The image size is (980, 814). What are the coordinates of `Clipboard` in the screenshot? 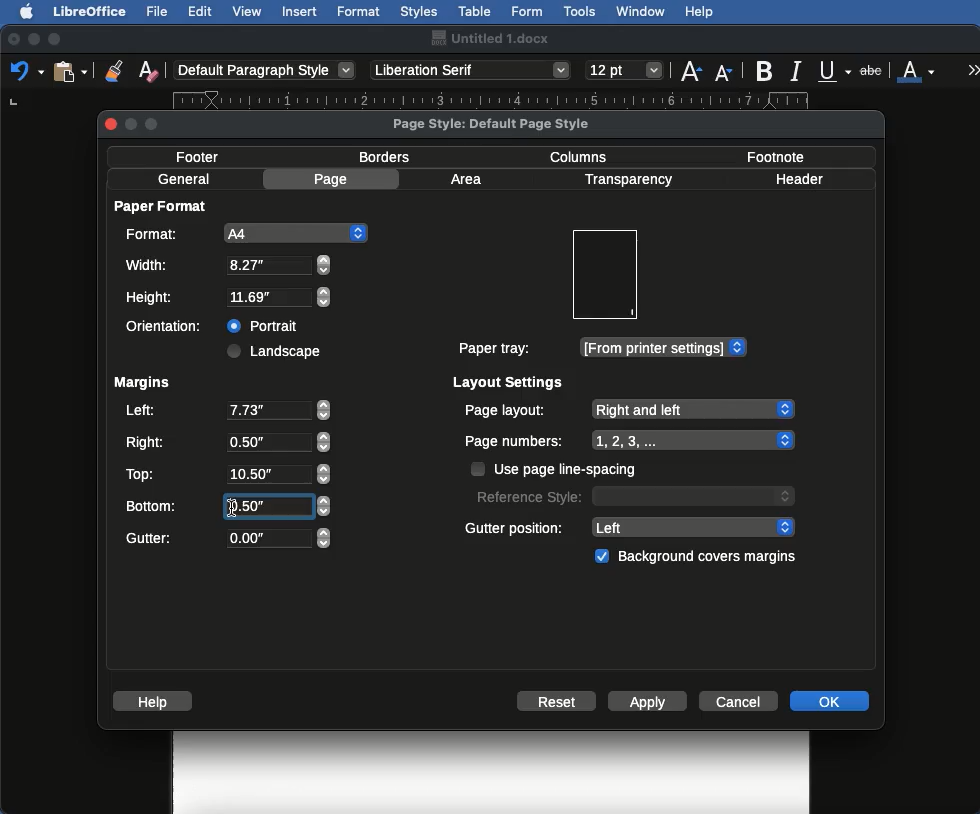 It's located at (70, 70).